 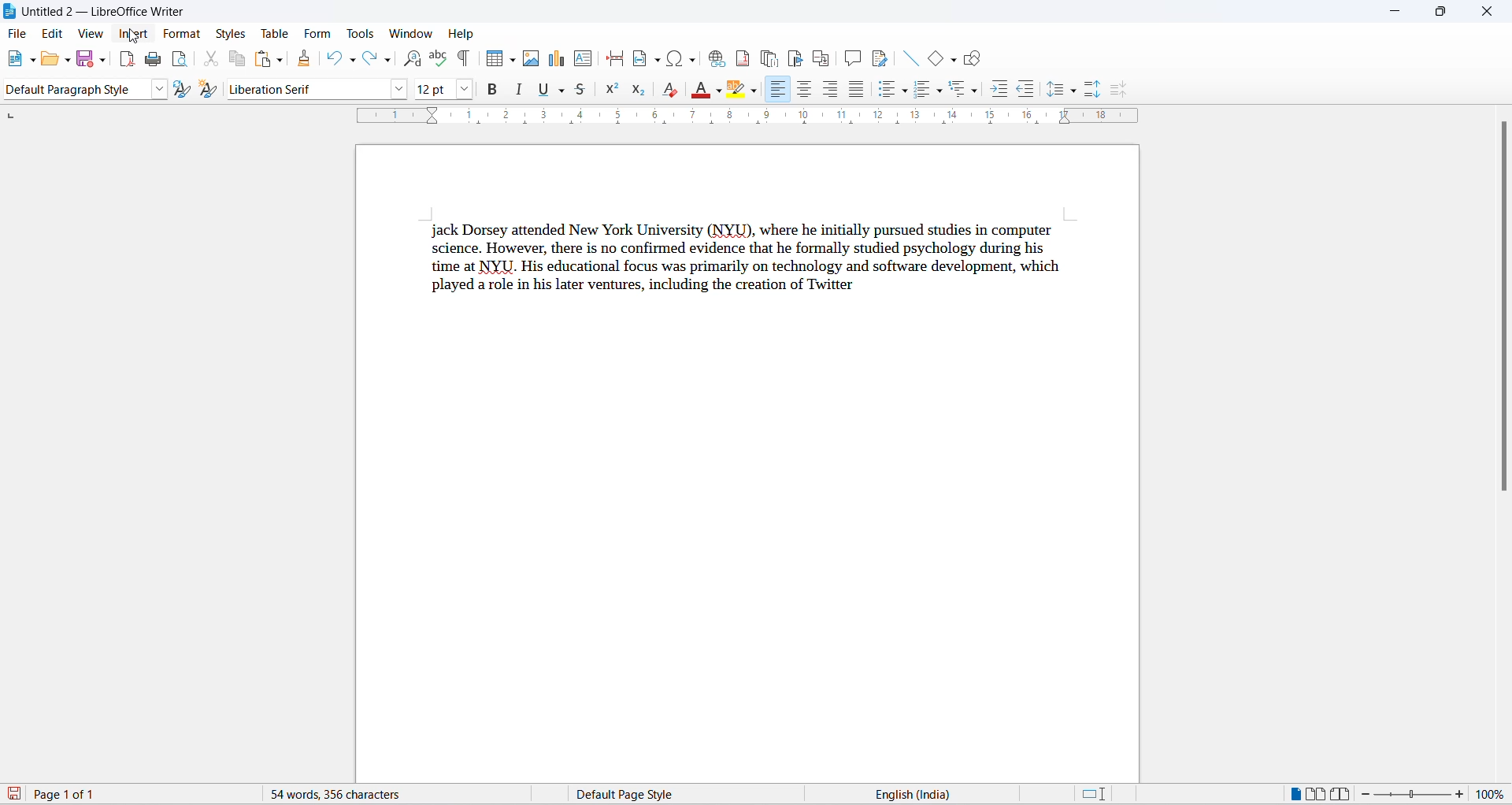 I want to click on superscript, so click(x=613, y=91).